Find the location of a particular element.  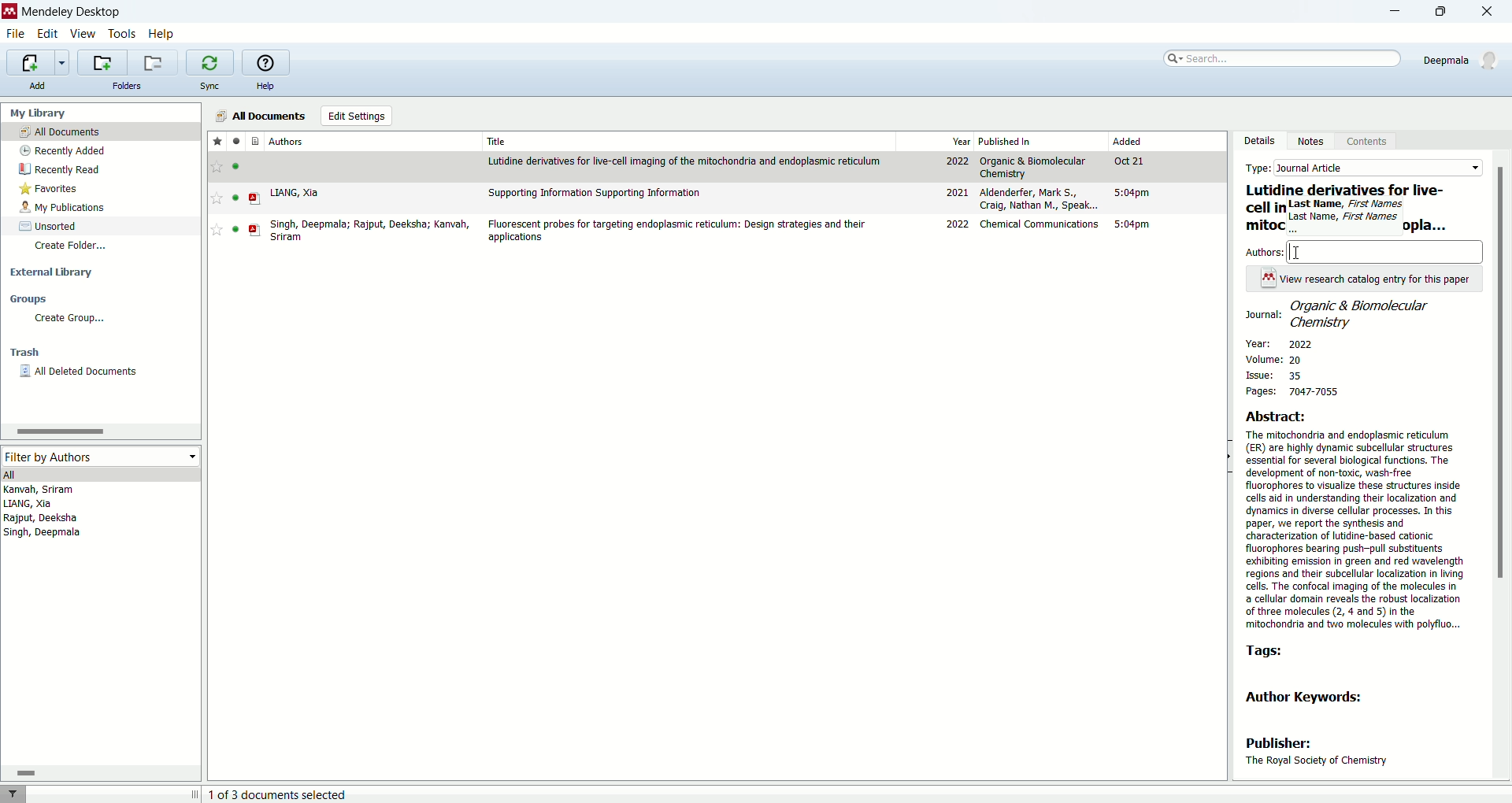

5:04pm is located at coordinates (1135, 194).